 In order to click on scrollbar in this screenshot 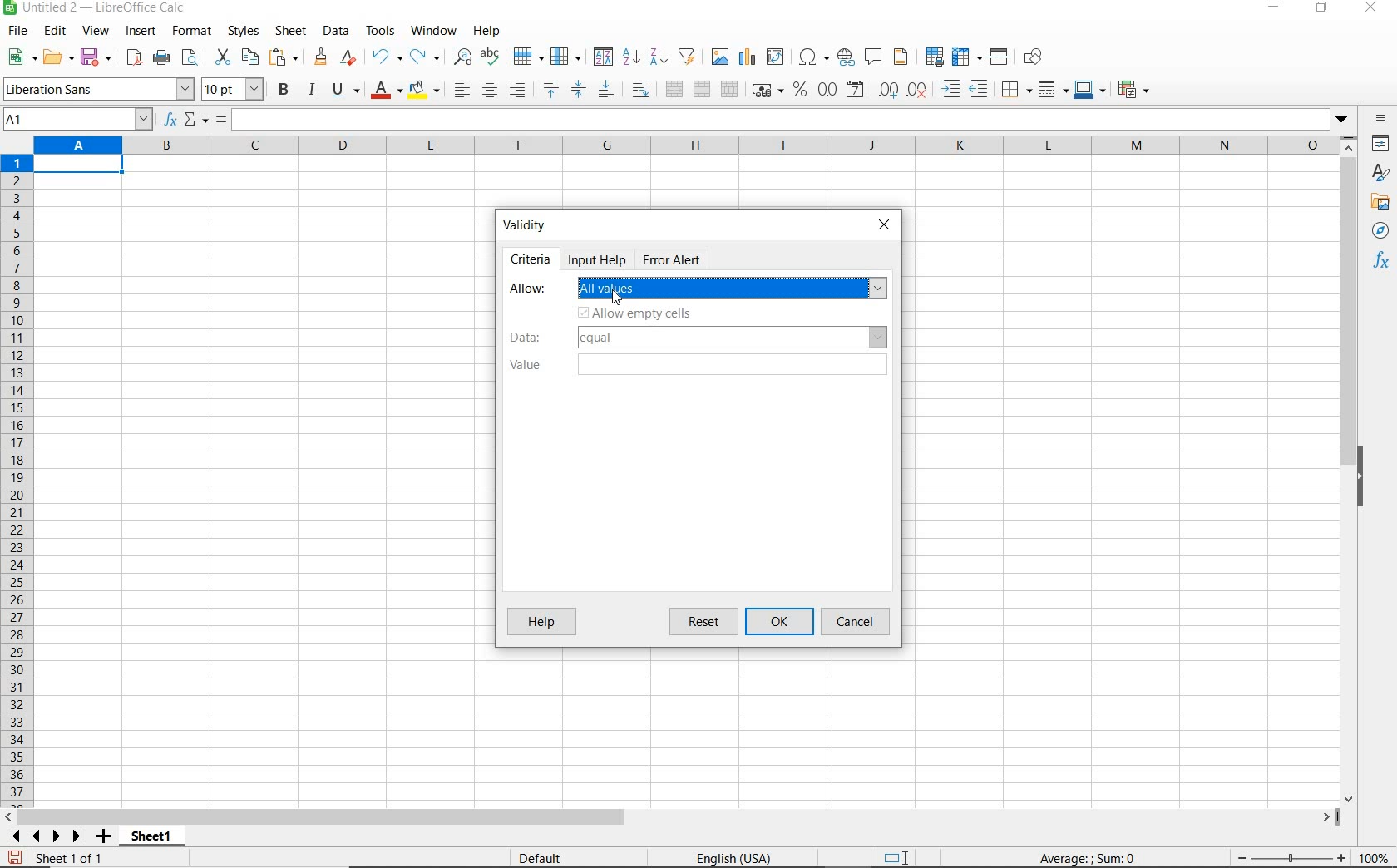, I will do `click(1350, 470)`.